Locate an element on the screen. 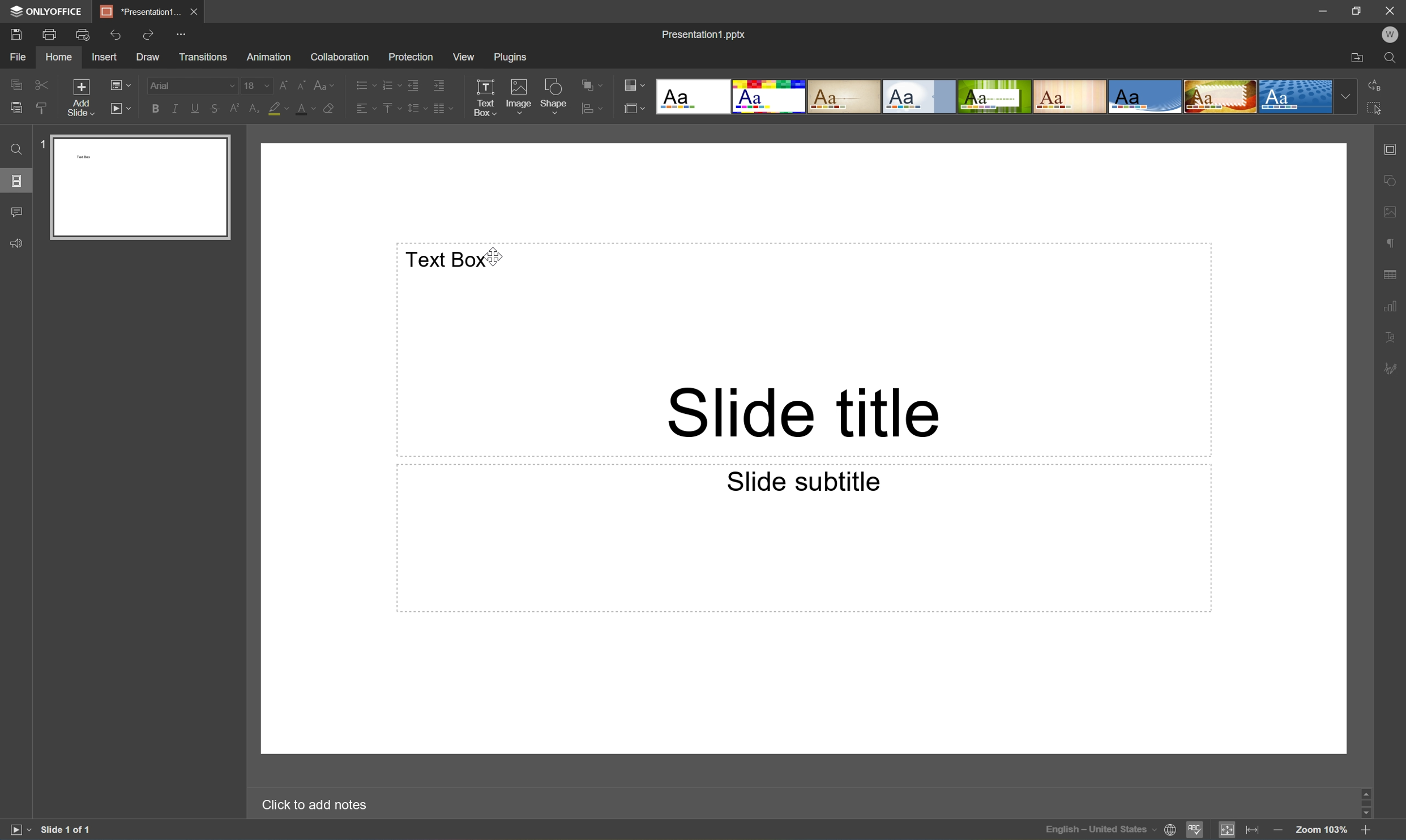  Slide subtitle is located at coordinates (802, 479).